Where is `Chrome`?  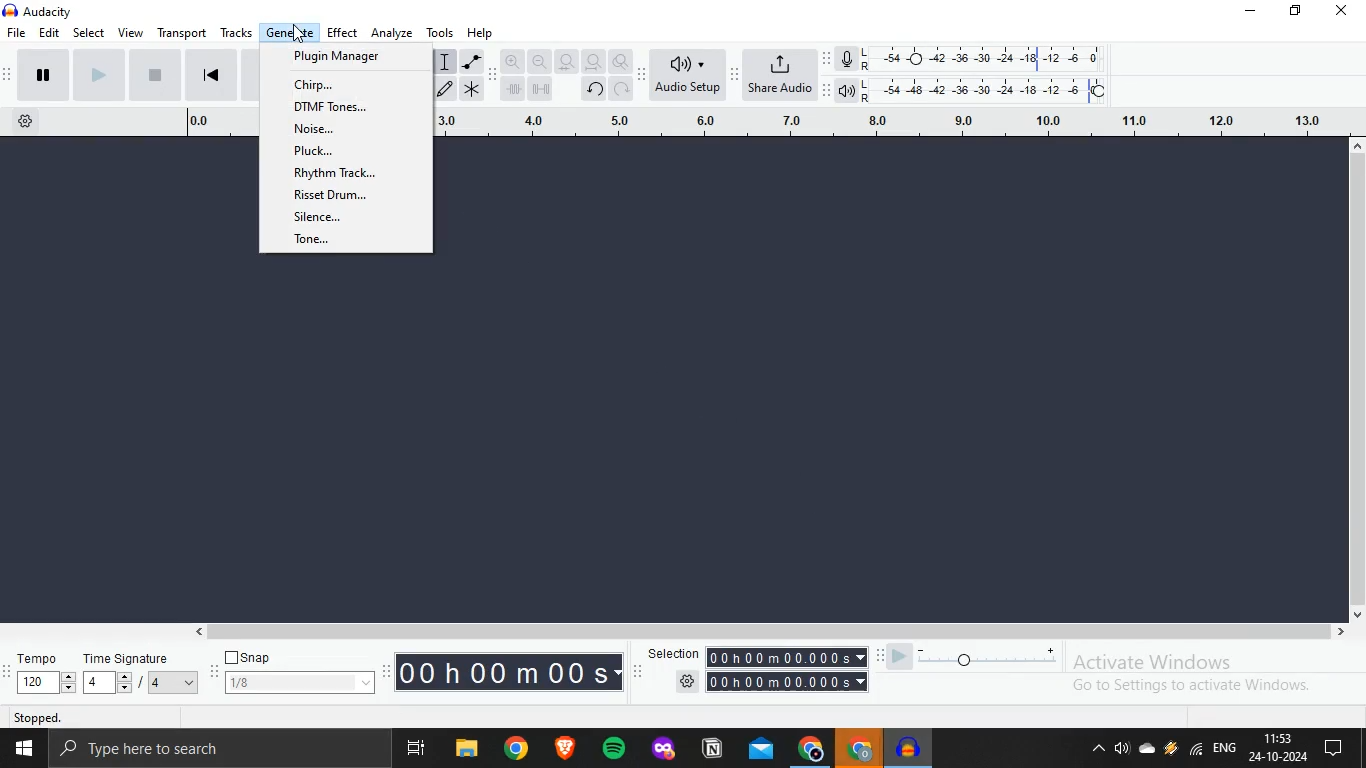 Chrome is located at coordinates (809, 750).